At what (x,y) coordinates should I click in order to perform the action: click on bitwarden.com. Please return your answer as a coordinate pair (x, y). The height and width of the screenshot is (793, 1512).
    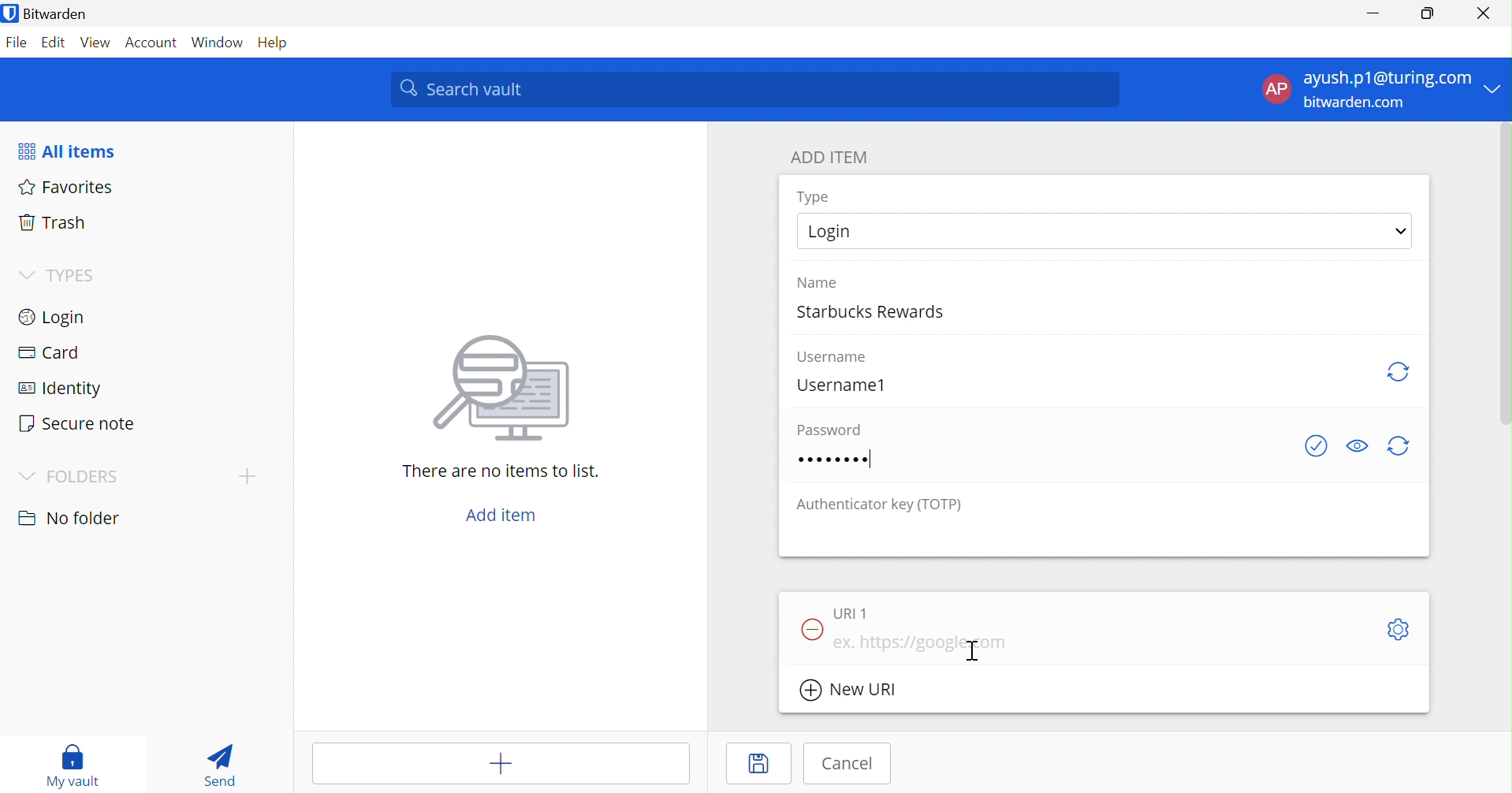
    Looking at the image, I should click on (1356, 103).